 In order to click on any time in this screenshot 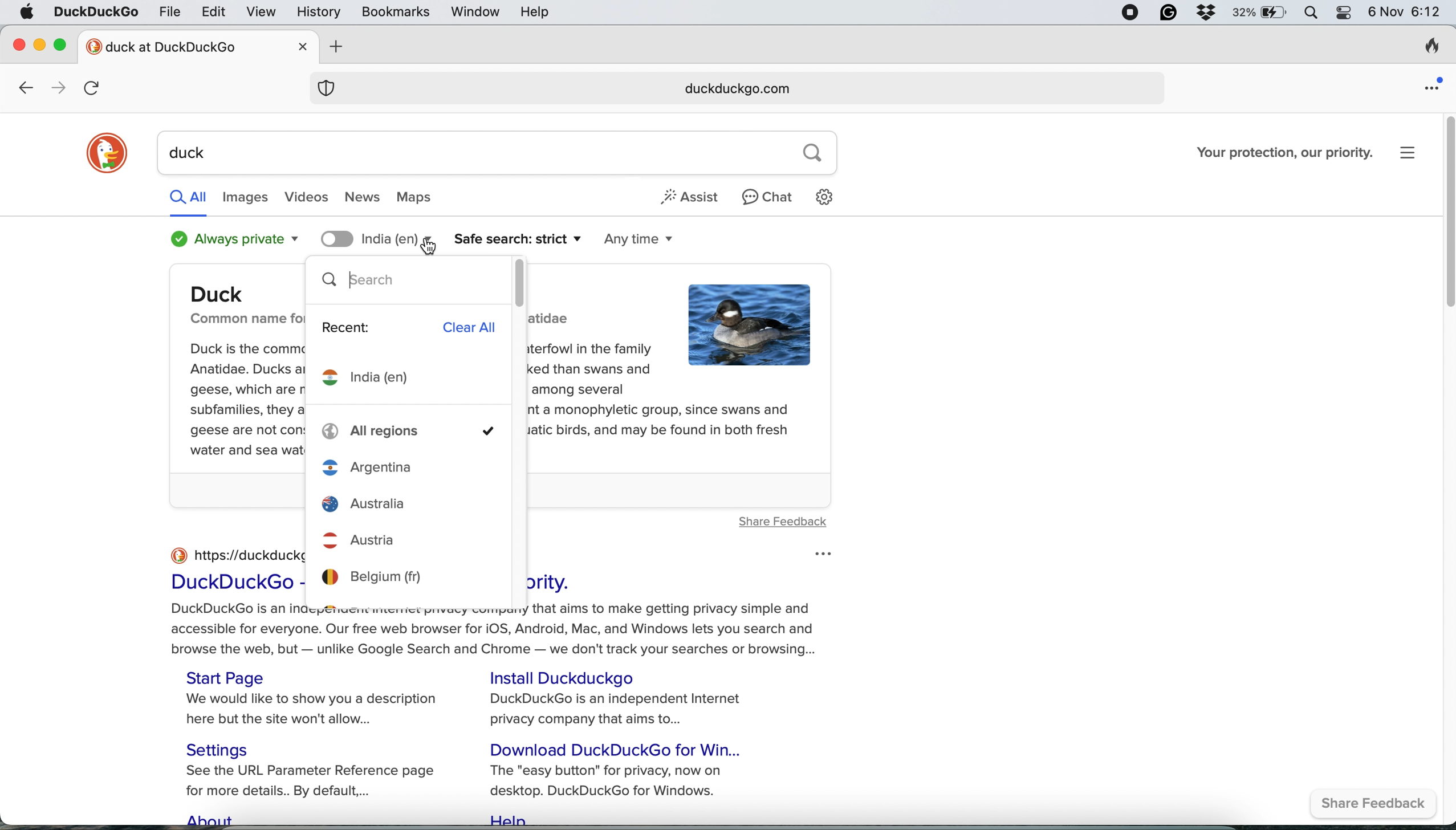, I will do `click(641, 241)`.